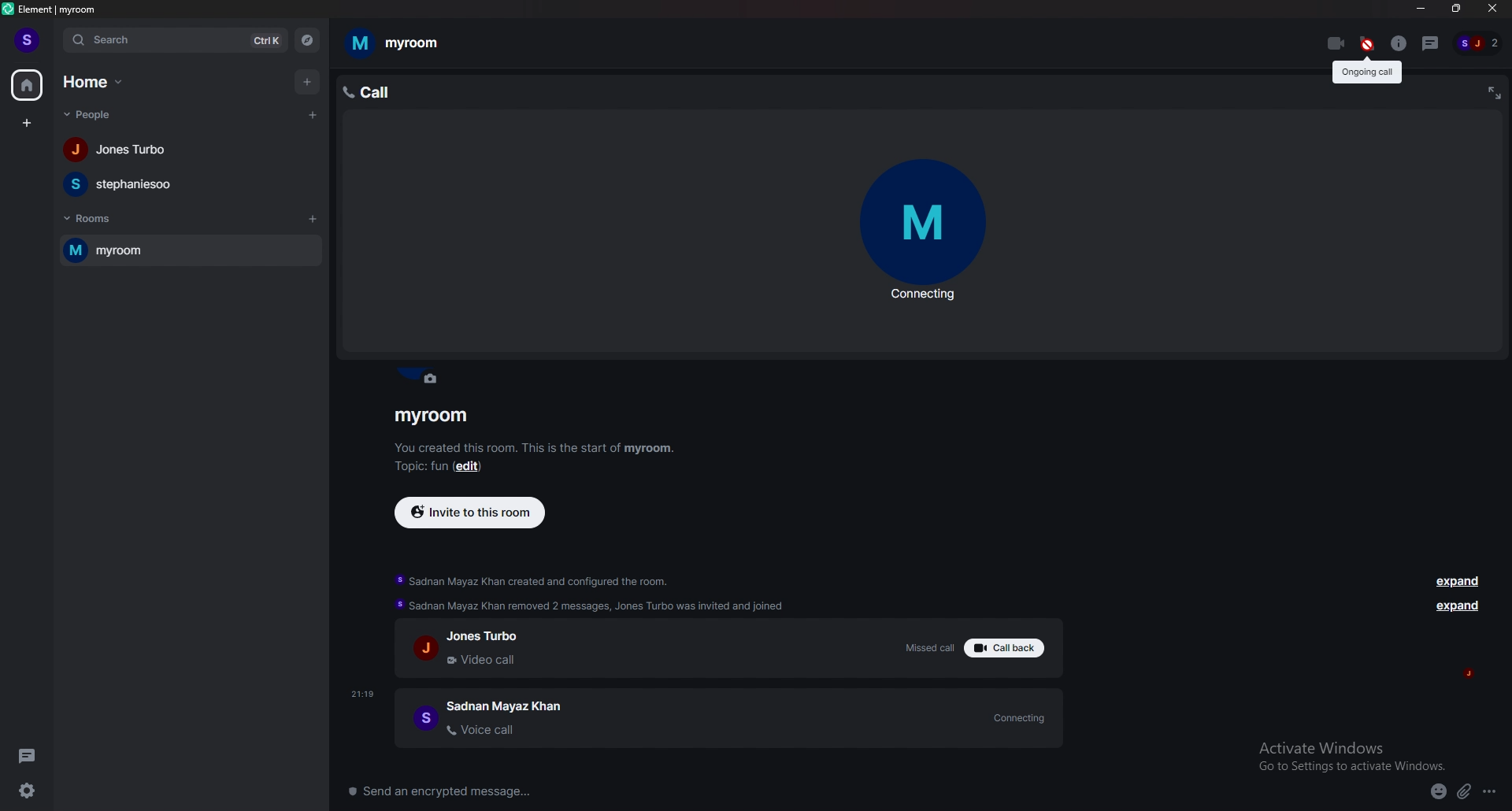 This screenshot has width=1512, height=811. What do you see at coordinates (931, 648) in the screenshot?
I see `Missed call` at bounding box center [931, 648].